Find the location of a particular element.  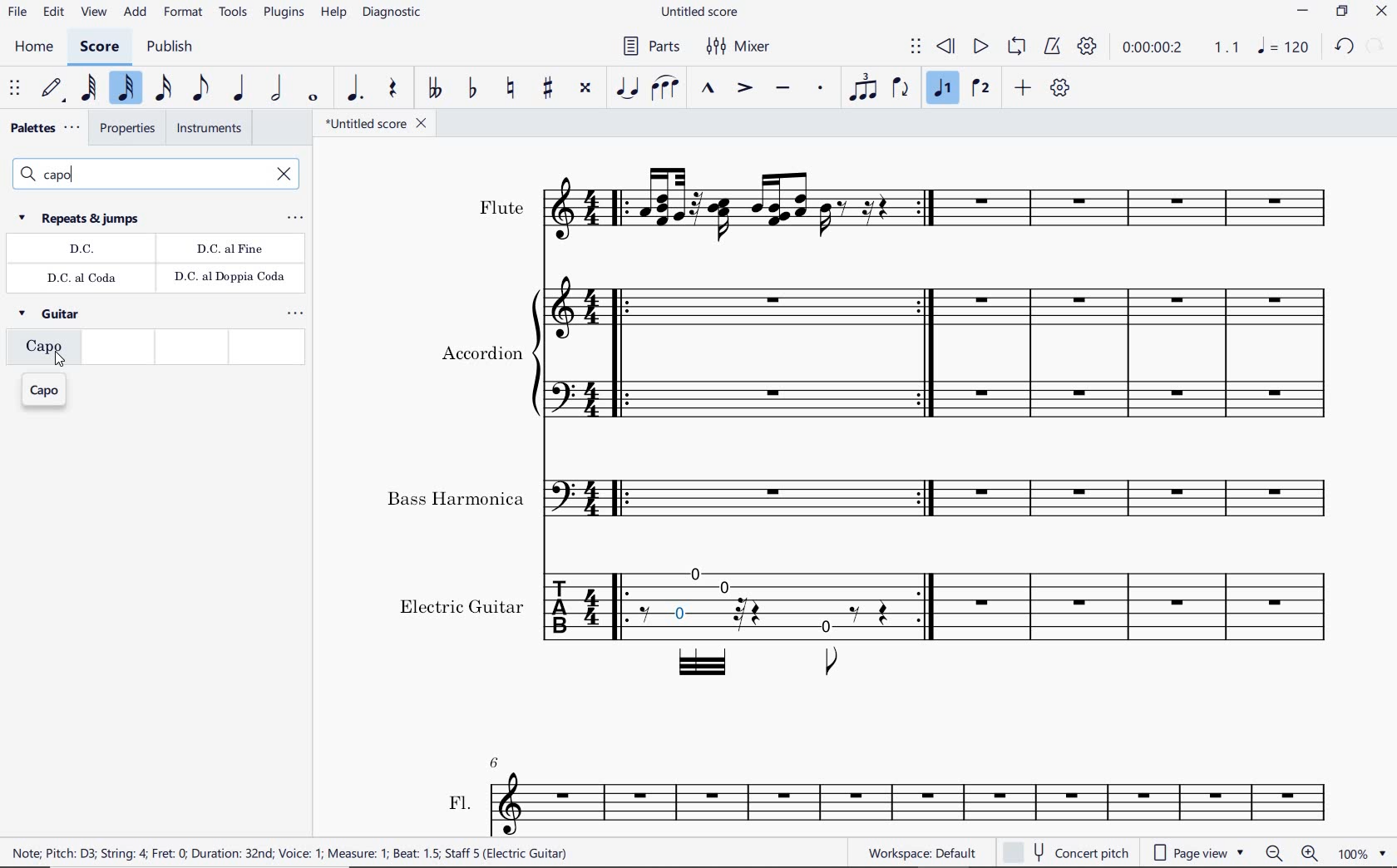

playback settings is located at coordinates (1086, 47).